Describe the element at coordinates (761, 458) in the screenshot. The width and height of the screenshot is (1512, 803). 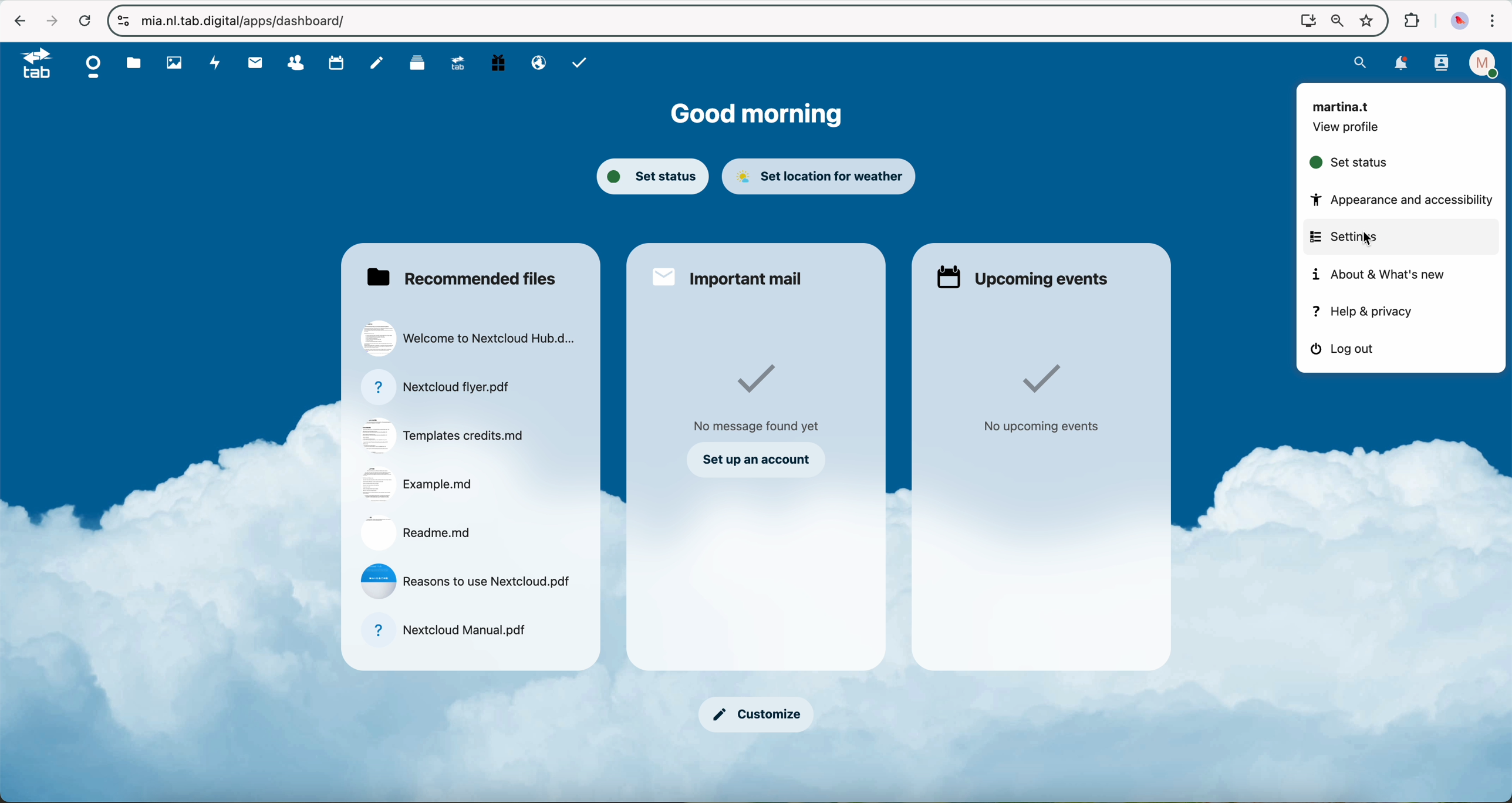
I see `set up an account` at that location.